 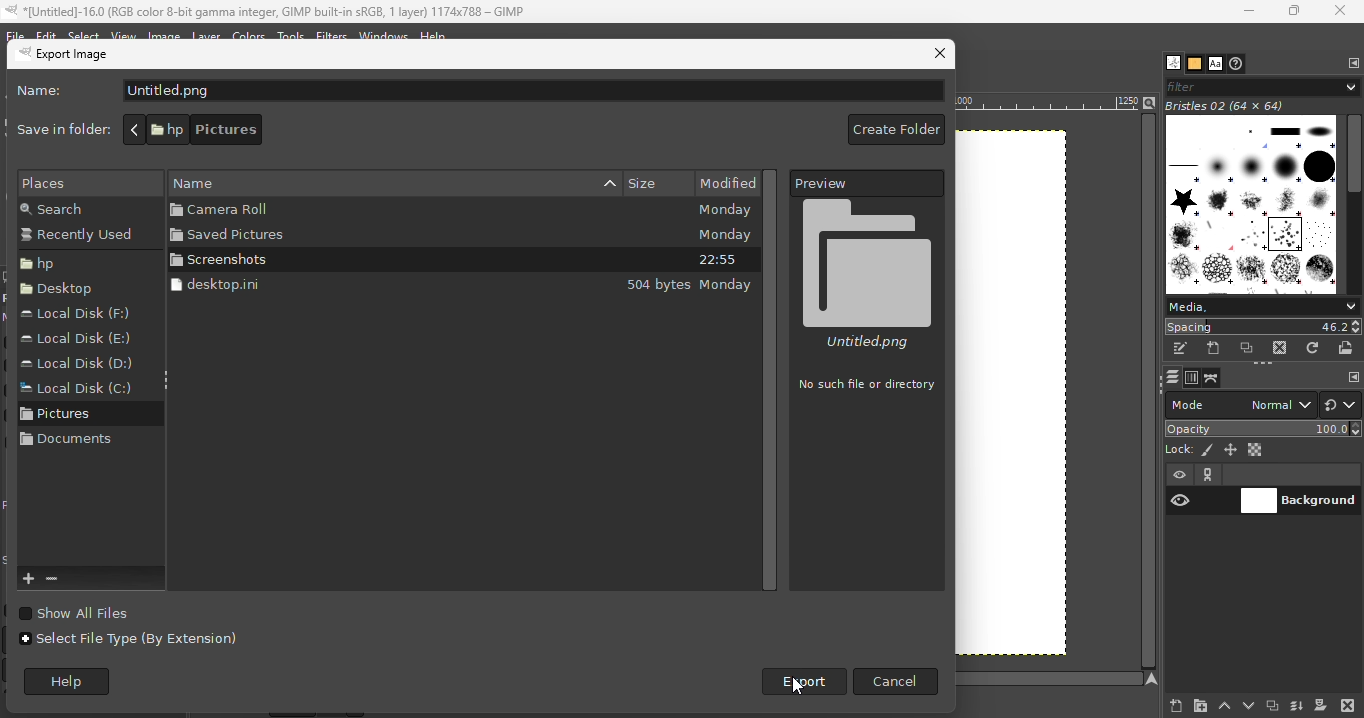 I want to click on ruler, so click(x=1046, y=105).